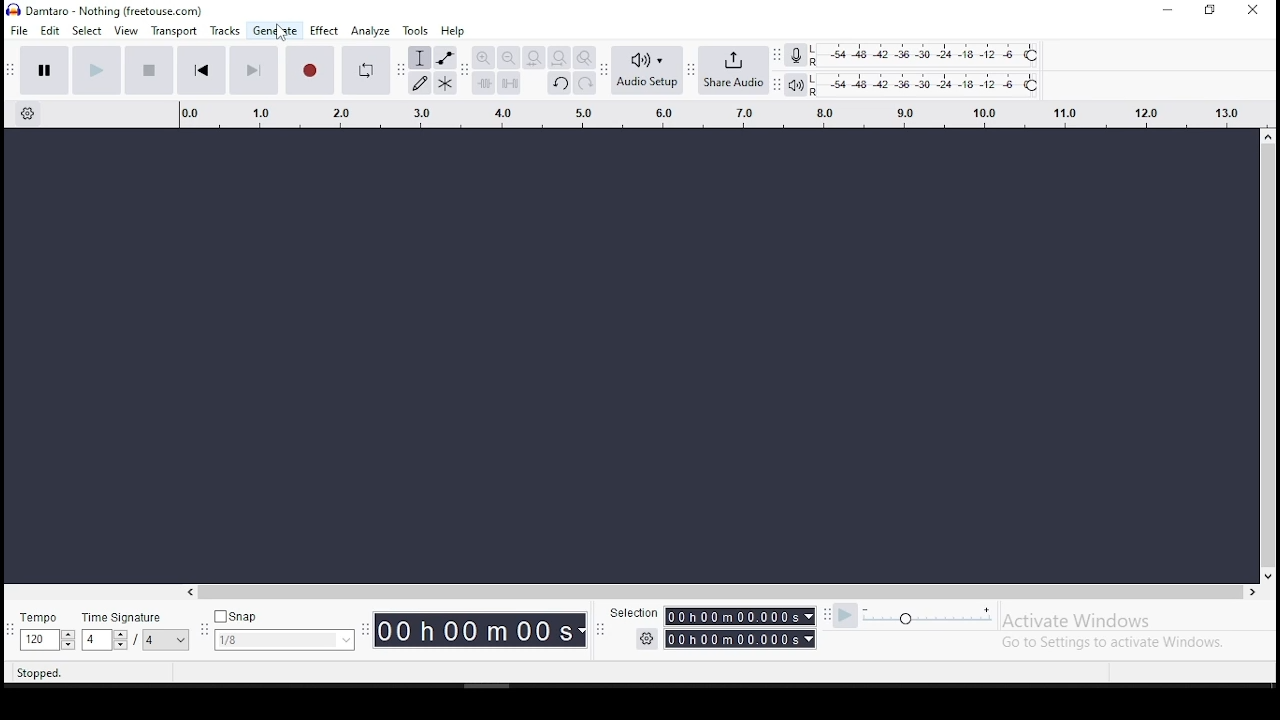 The image size is (1280, 720). I want to click on view, so click(127, 31).